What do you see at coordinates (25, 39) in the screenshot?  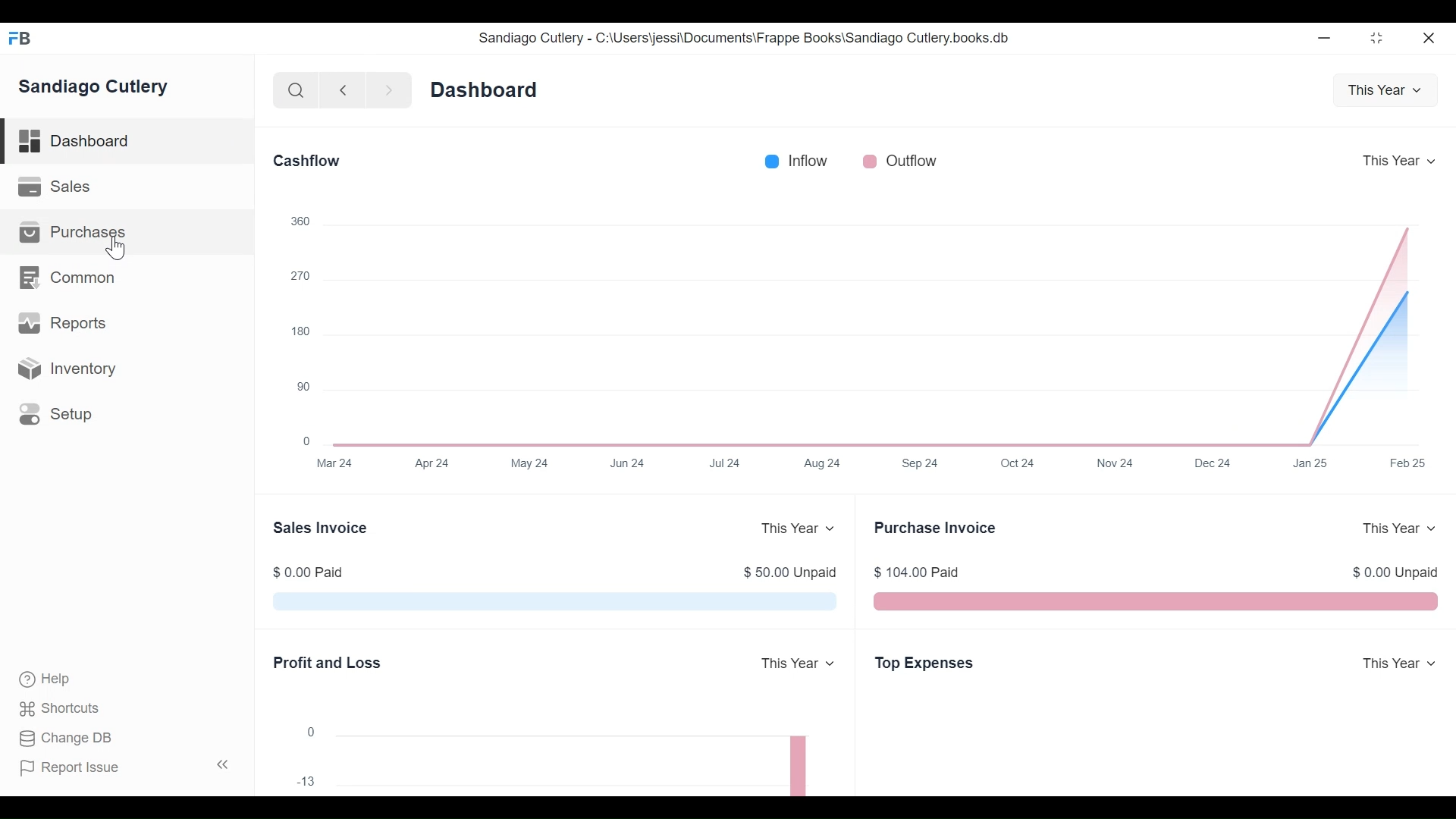 I see `Frappe Books Desktop icon` at bounding box center [25, 39].